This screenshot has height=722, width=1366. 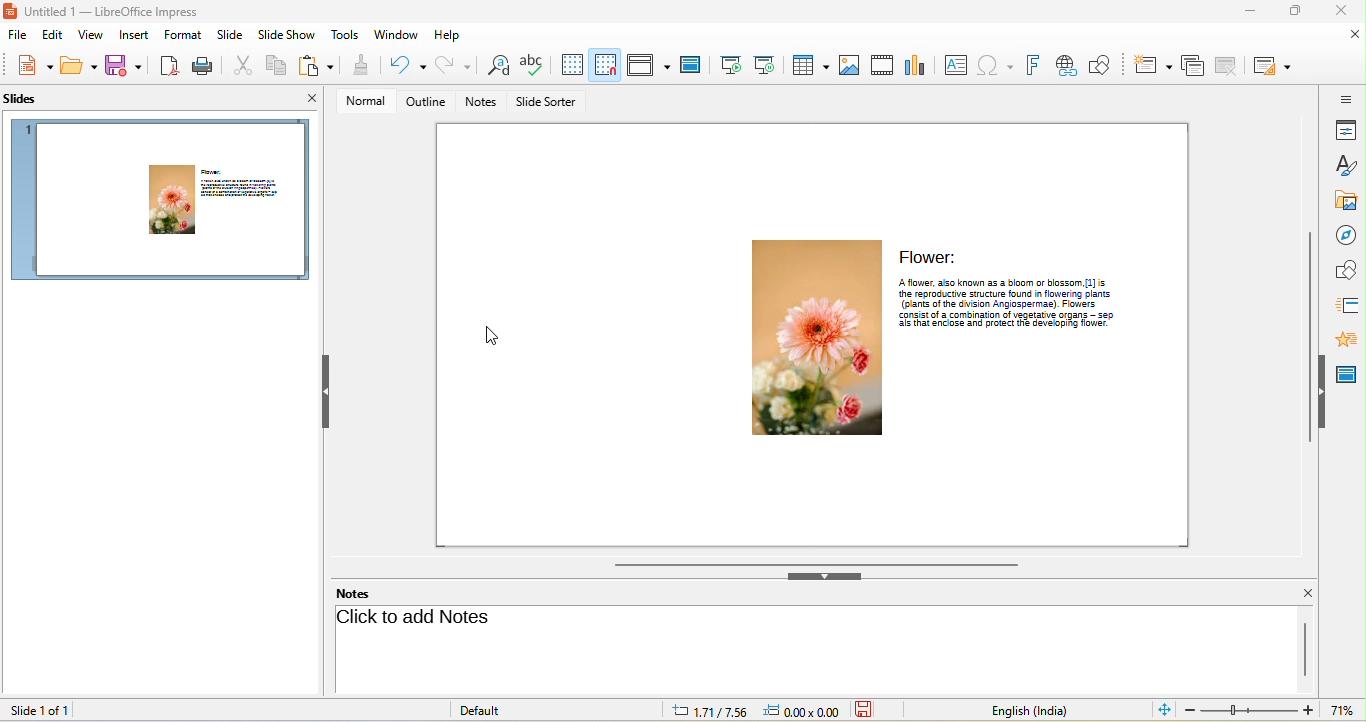 I want to click on clone formatting, so click(x=356, y=66).